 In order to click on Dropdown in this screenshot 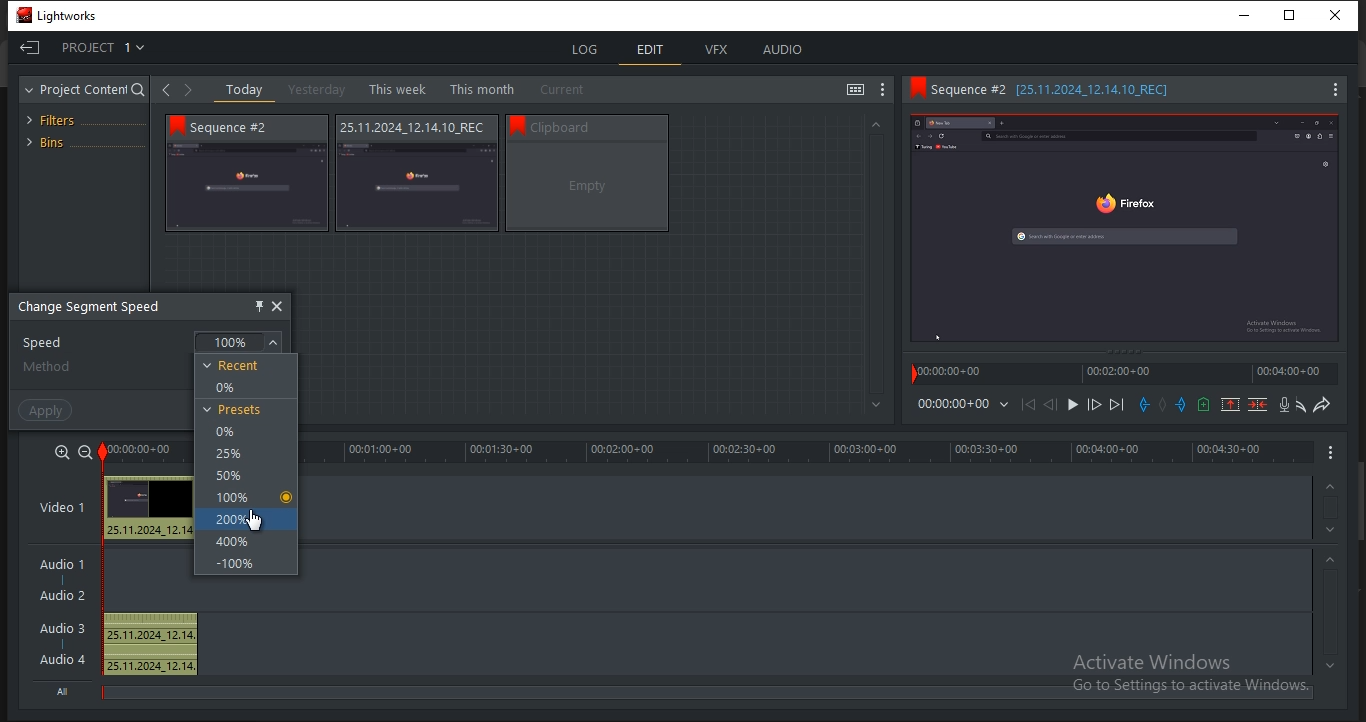, I will do `click(1001, 407)`.